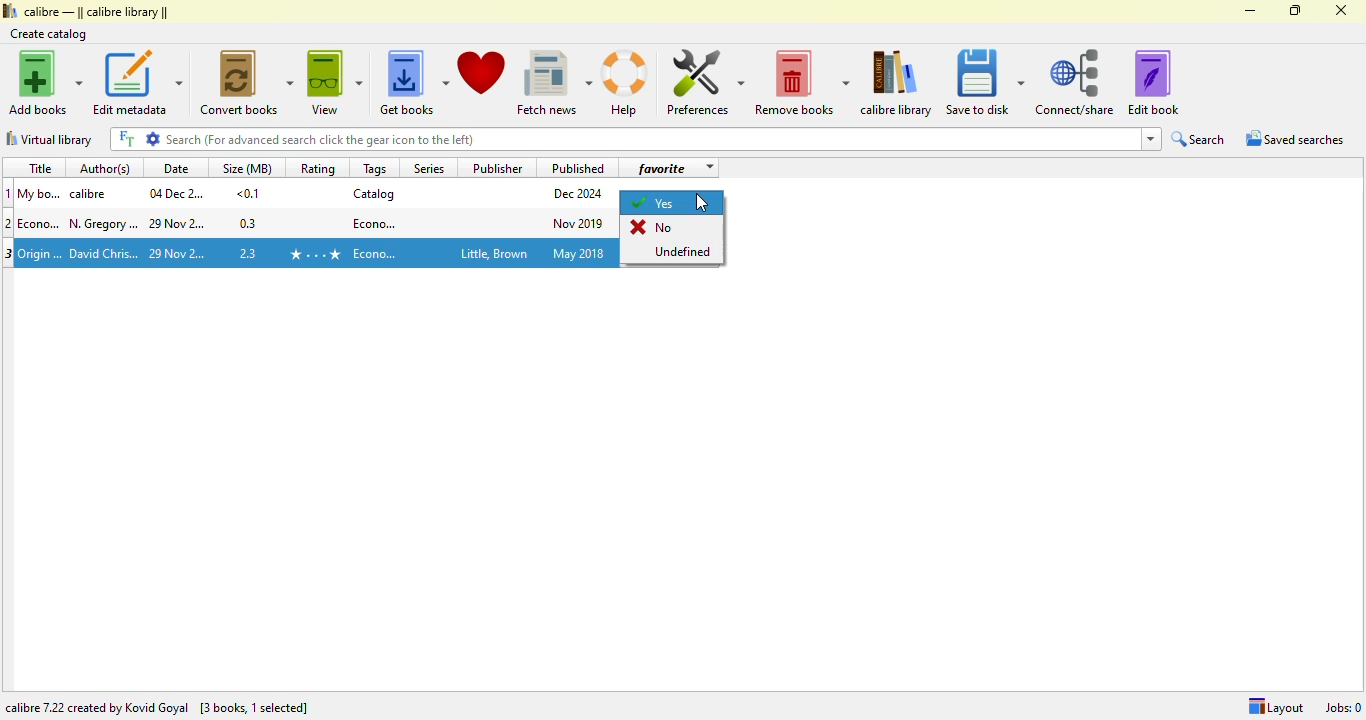 The height and width of the screenshot is (720, 1366). Describe the element at coordinates (377, 254) in the screenshot. I see `tag` at that location.